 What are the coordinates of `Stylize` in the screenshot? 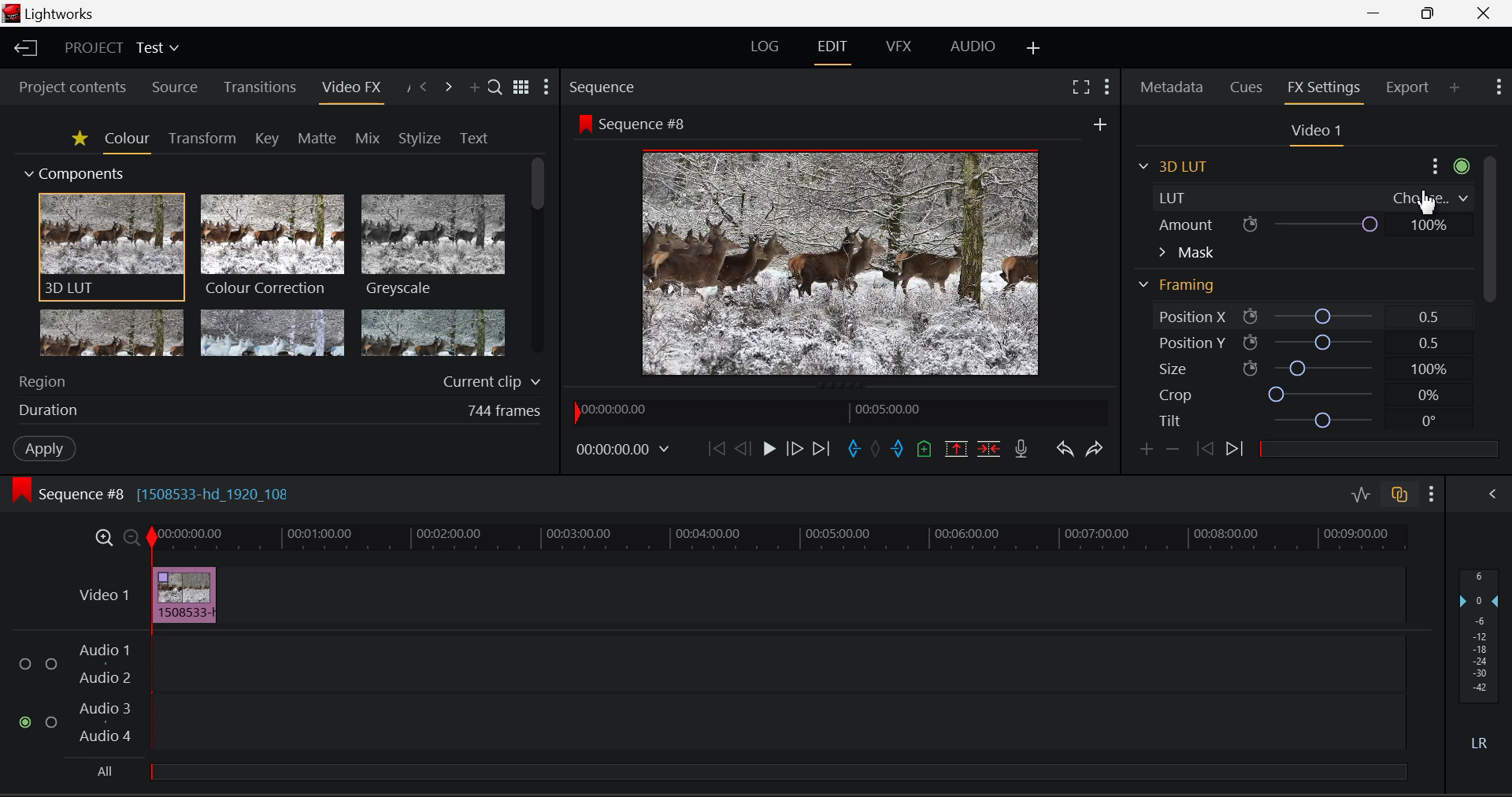 It's located at (417, 139).